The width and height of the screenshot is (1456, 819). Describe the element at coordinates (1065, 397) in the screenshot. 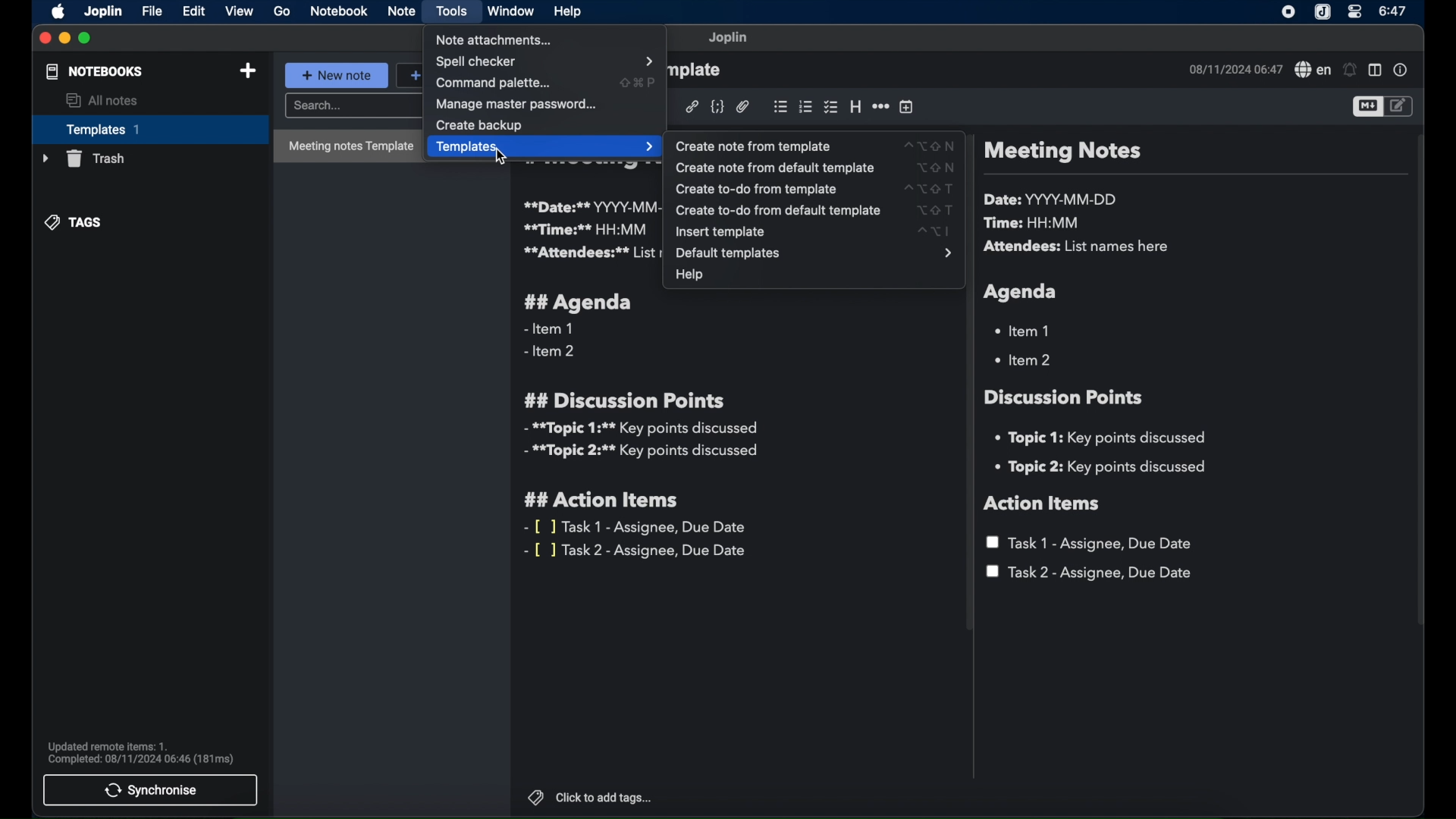

I see `discussion points` at that location.